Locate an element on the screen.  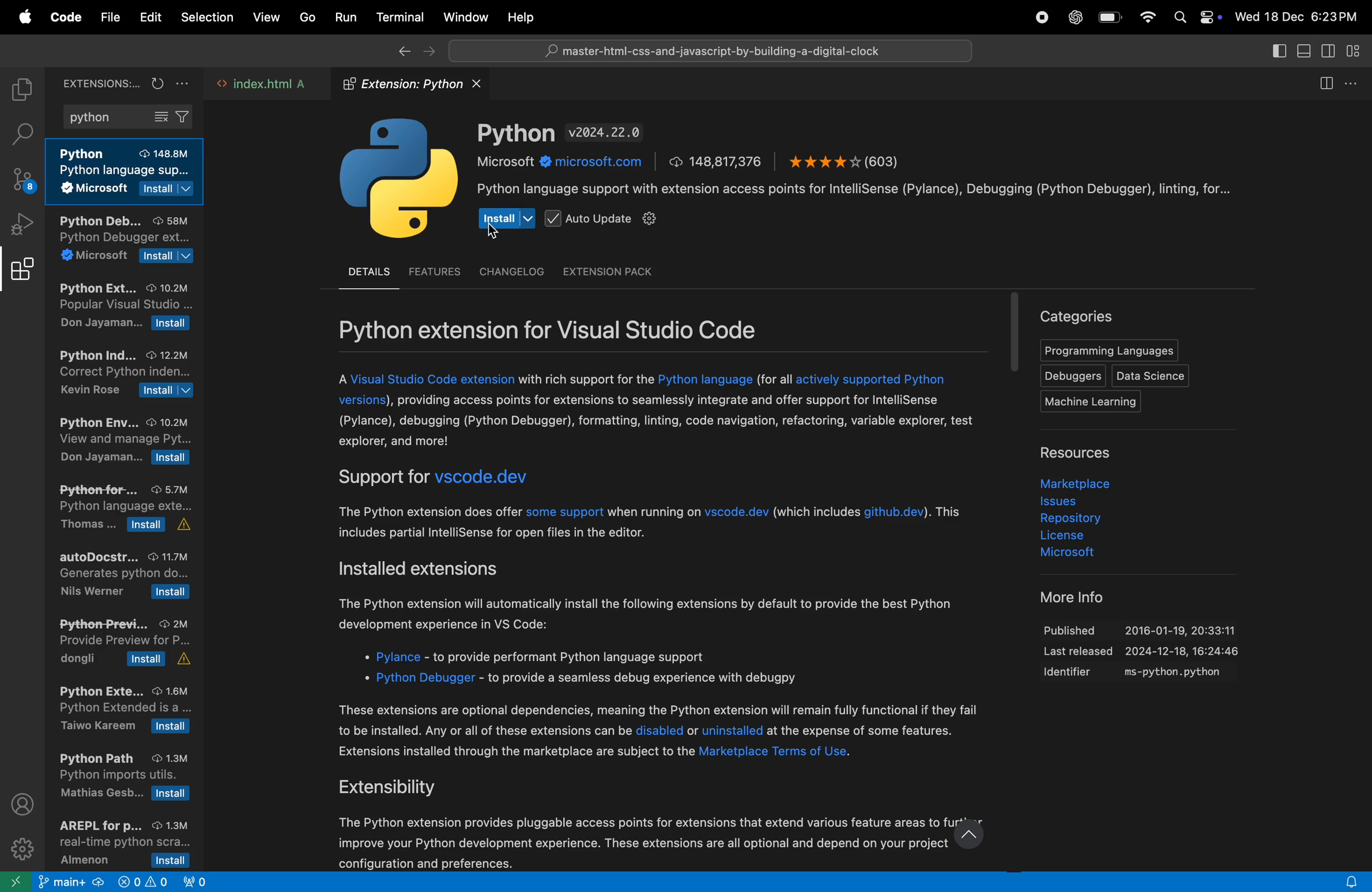
extension pack is located at coordinates (606, 271).